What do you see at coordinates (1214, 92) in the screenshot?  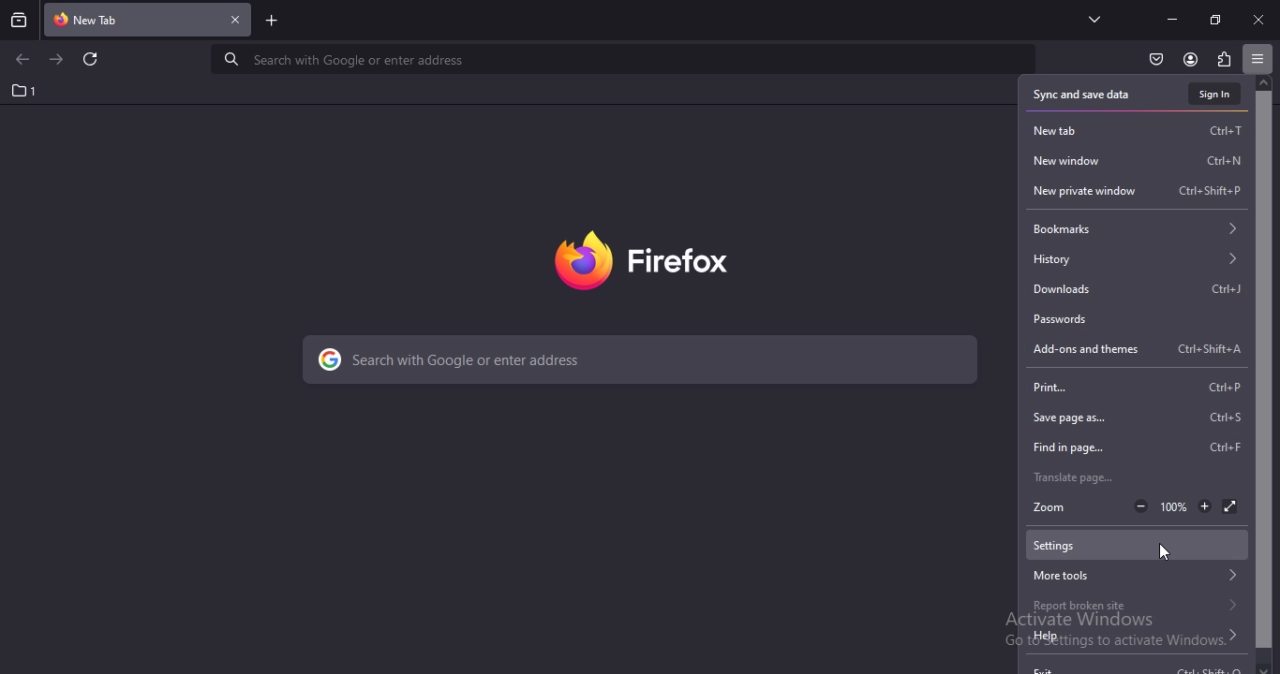 I see `sign in` at bounding box center [1214, 92].